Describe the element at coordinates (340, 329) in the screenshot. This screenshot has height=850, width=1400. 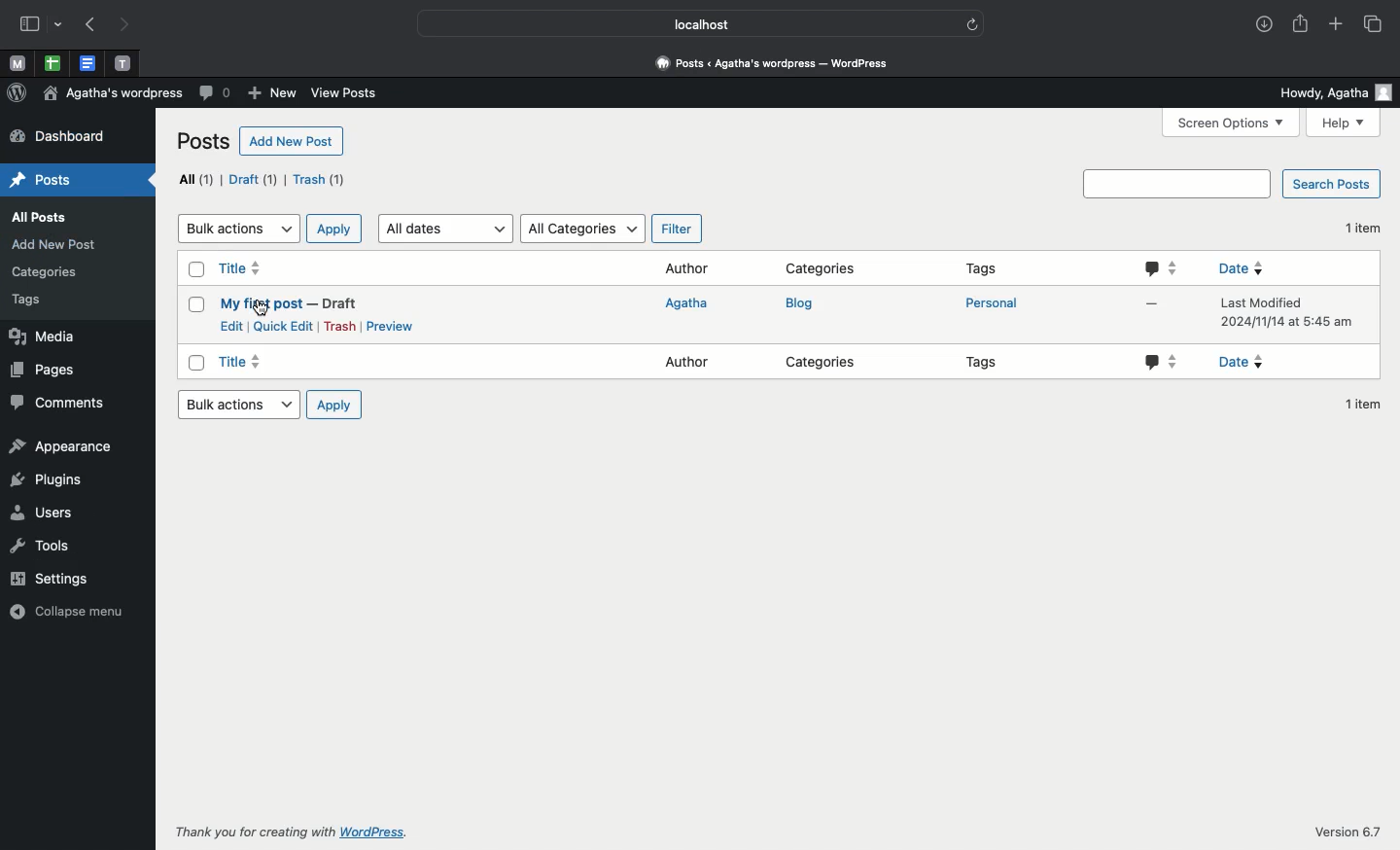
I see `Trash` at that location.